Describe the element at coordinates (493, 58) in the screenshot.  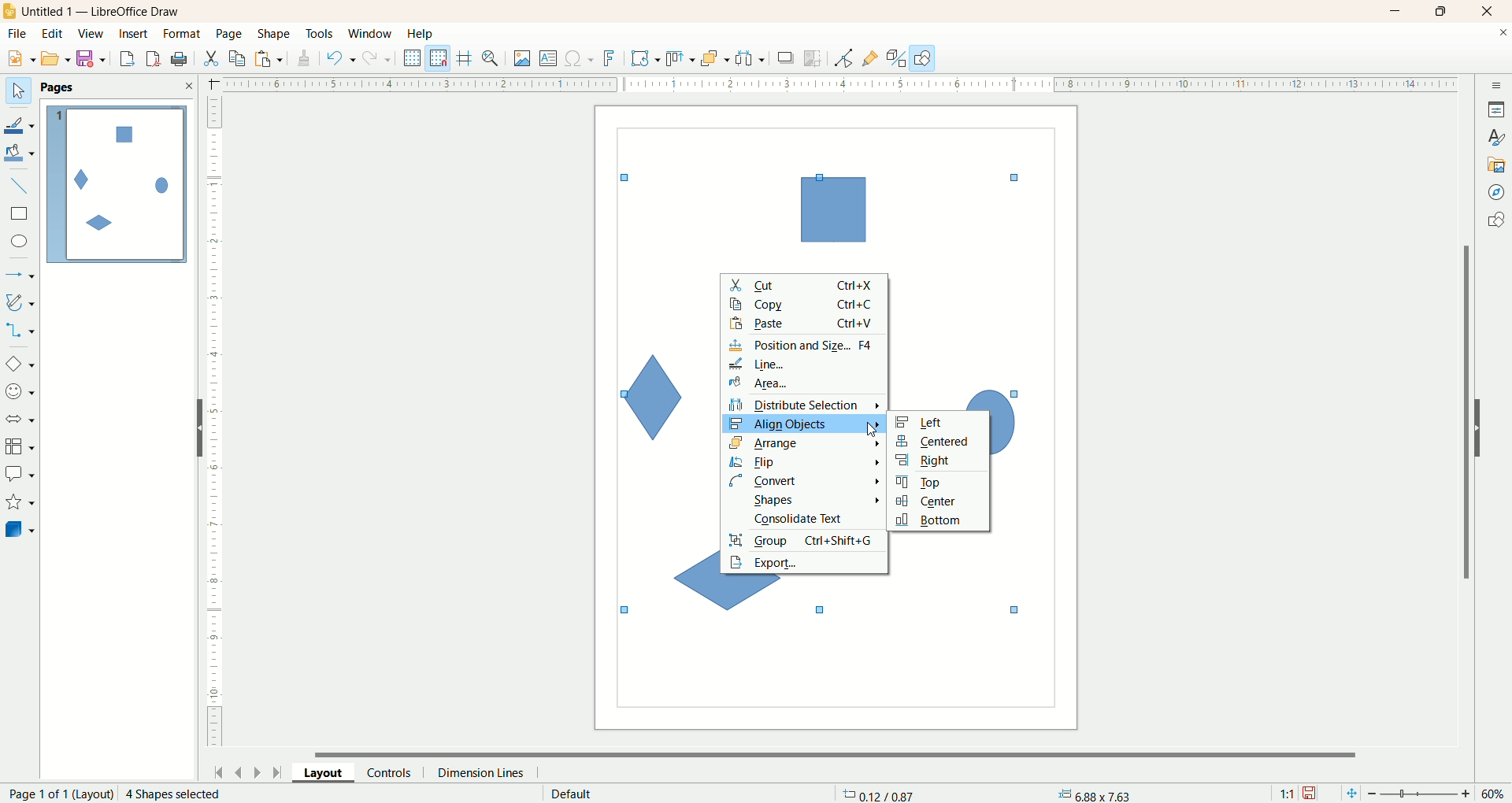
I see `zo` at that location.